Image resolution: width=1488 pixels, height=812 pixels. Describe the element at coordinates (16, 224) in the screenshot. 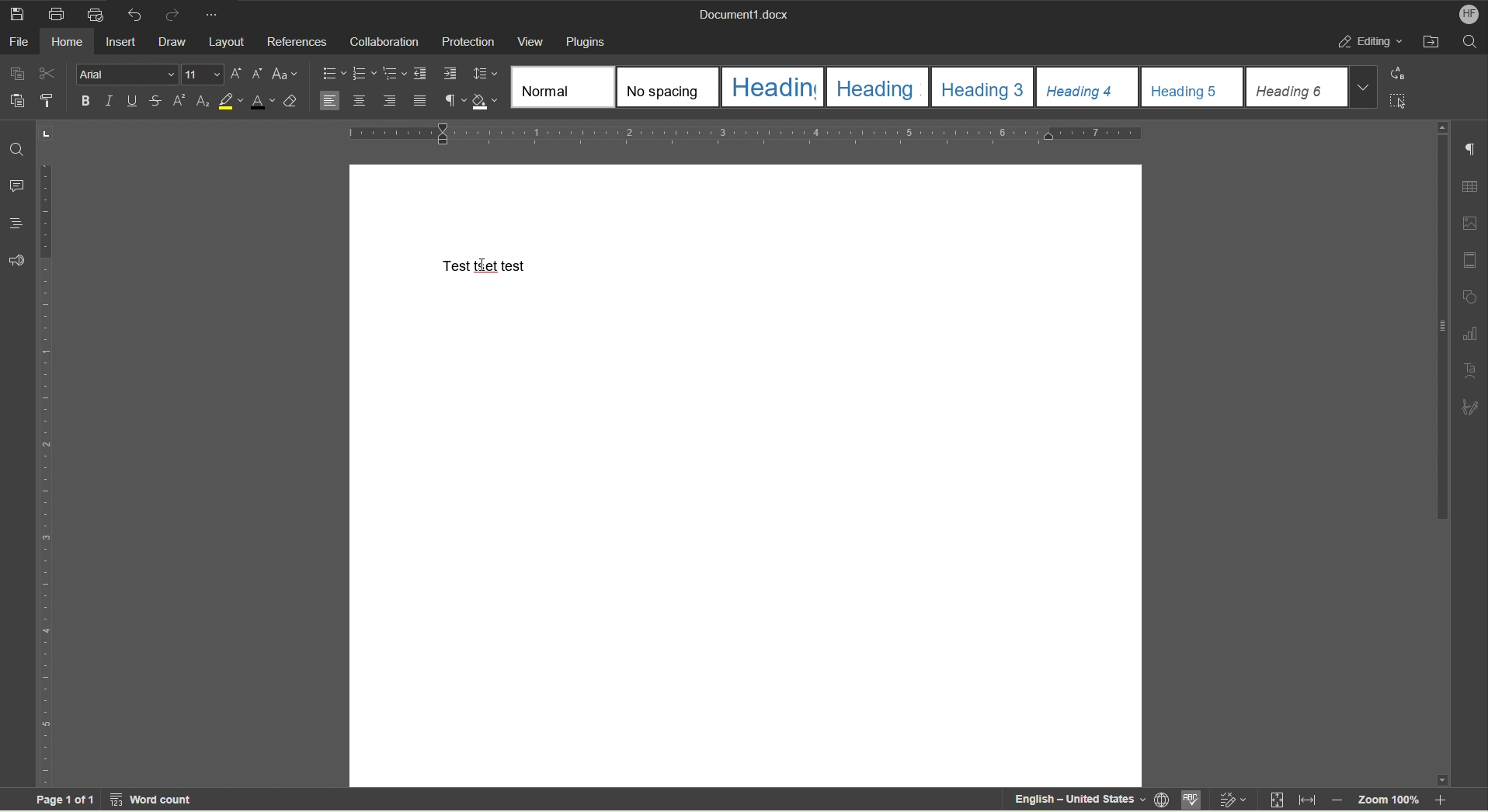

I see `Headings` at that location.